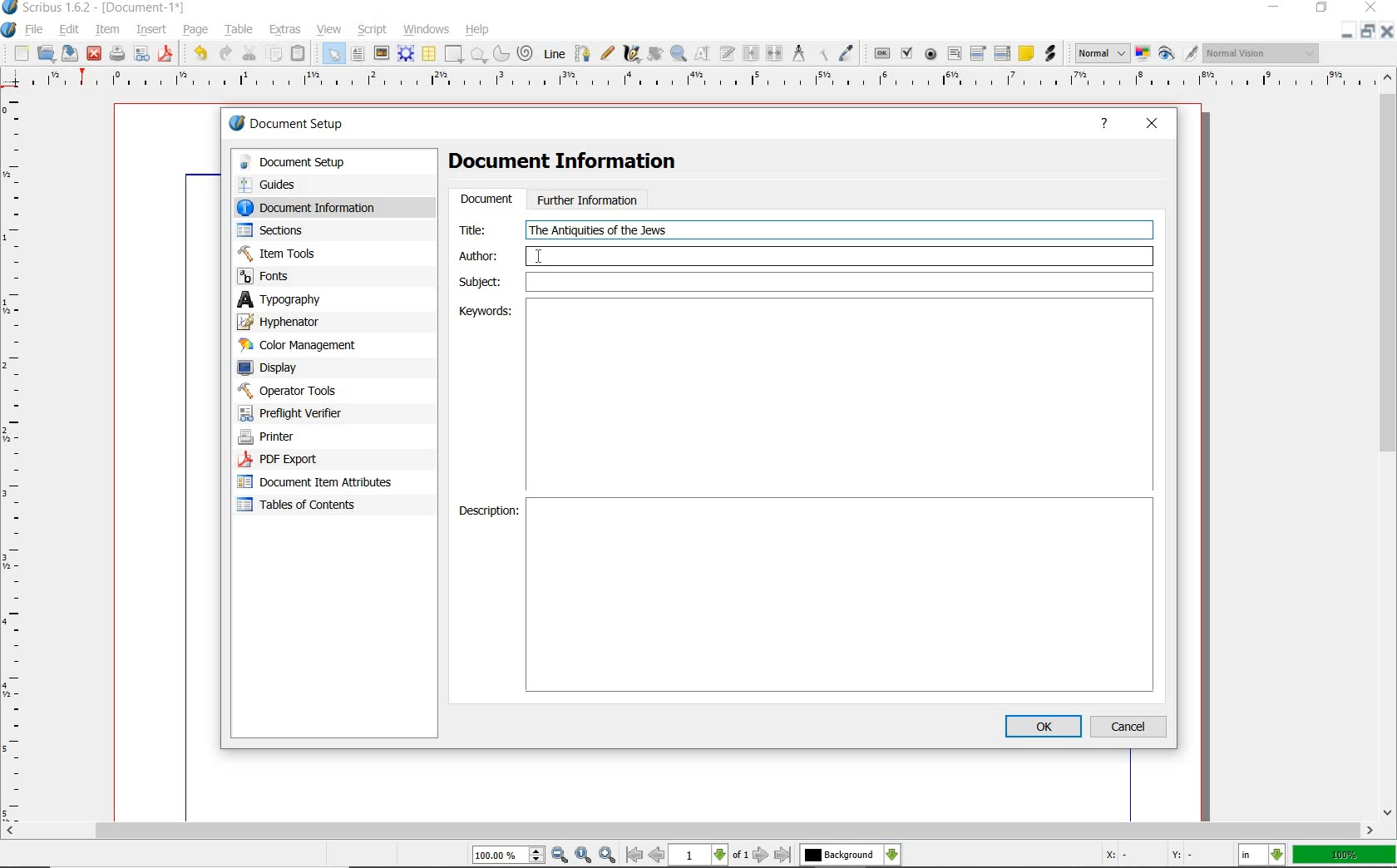  Describe the element at coordinates (806, 283) in the screenshot. I see `Subject` at that location.